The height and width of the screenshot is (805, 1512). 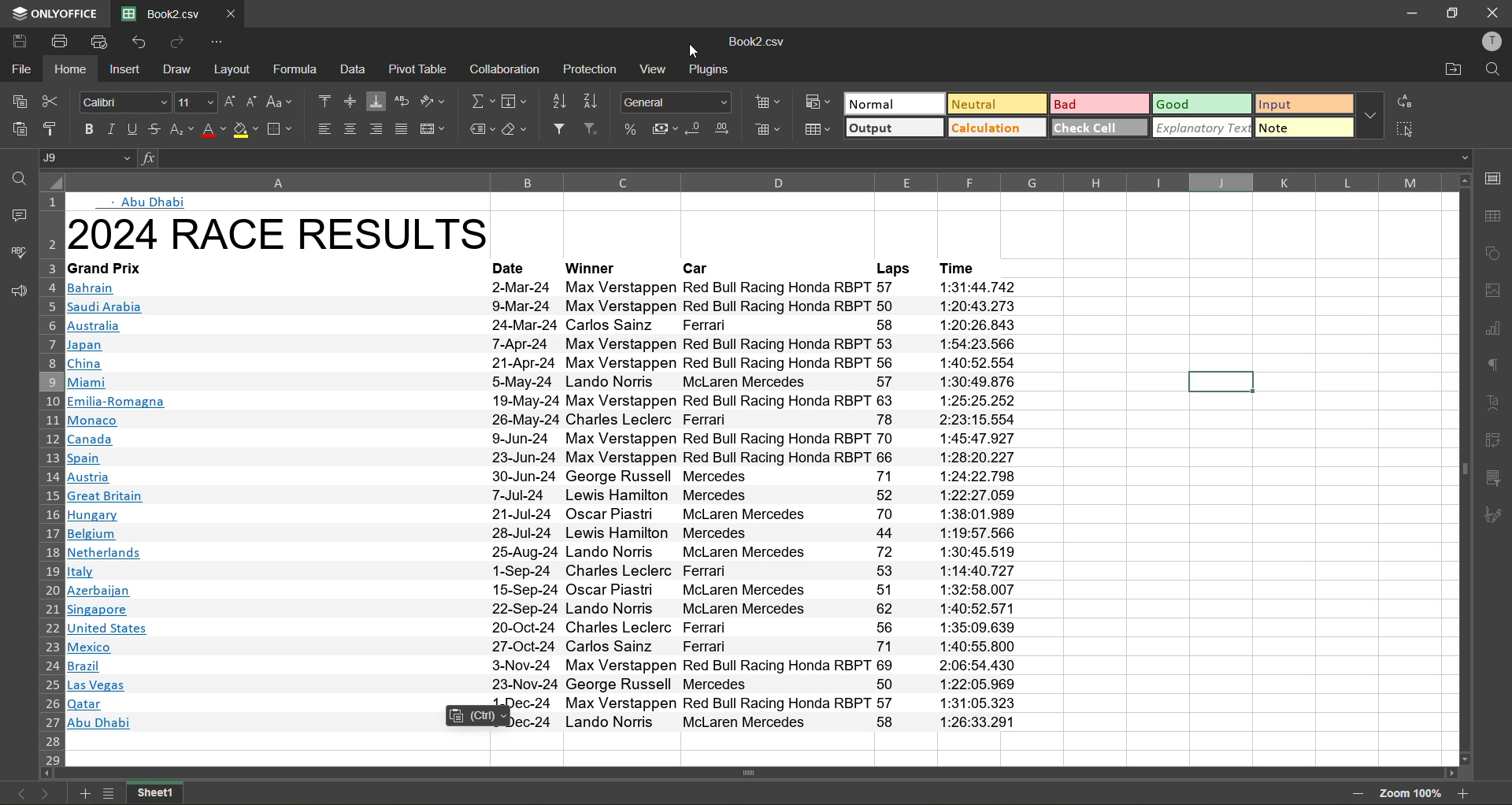 What do you see at coordinates (84, 794) in the screenshot?
I see `add new sheet` at bounding box center [84, 794].